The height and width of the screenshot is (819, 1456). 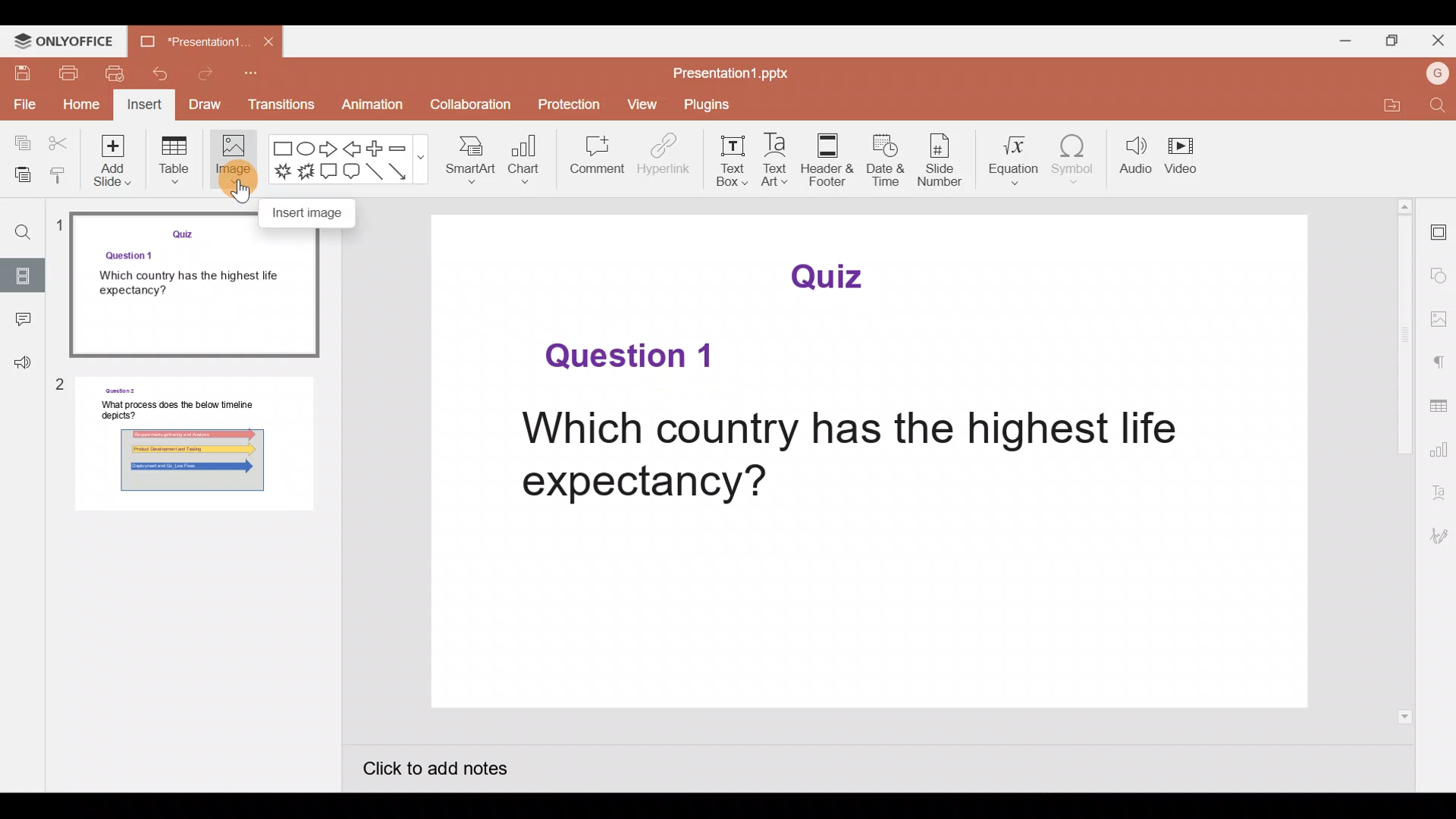 What do you see at coordinates (233, 162) in the screenshot?
I see `Image` at bounding box center [233, 162].